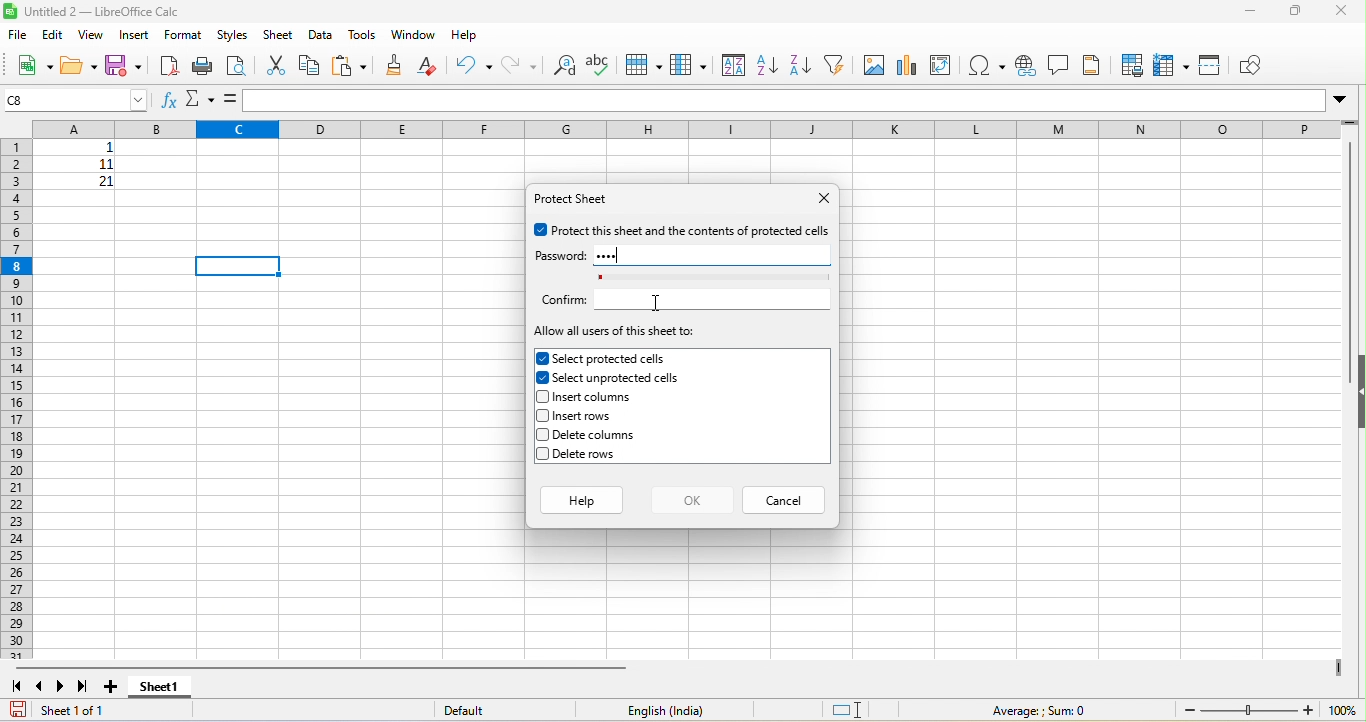 This screenshot has height=722, width=1366. What do you see at coordinates (112, 687) in the screenshot?
I see `add new sheet` at bounding box center [112, 687].